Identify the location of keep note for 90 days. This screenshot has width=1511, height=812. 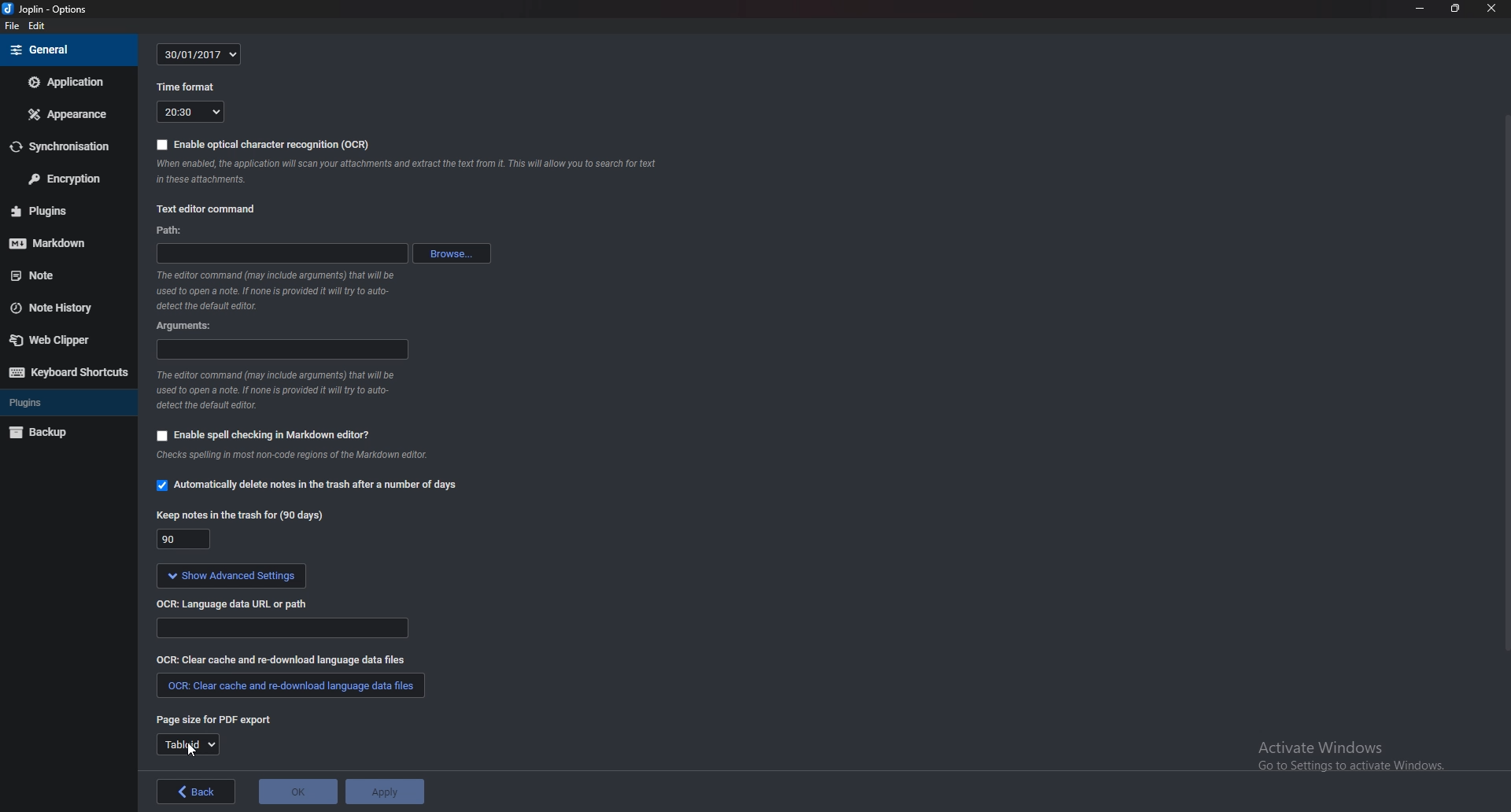
(242, 514).